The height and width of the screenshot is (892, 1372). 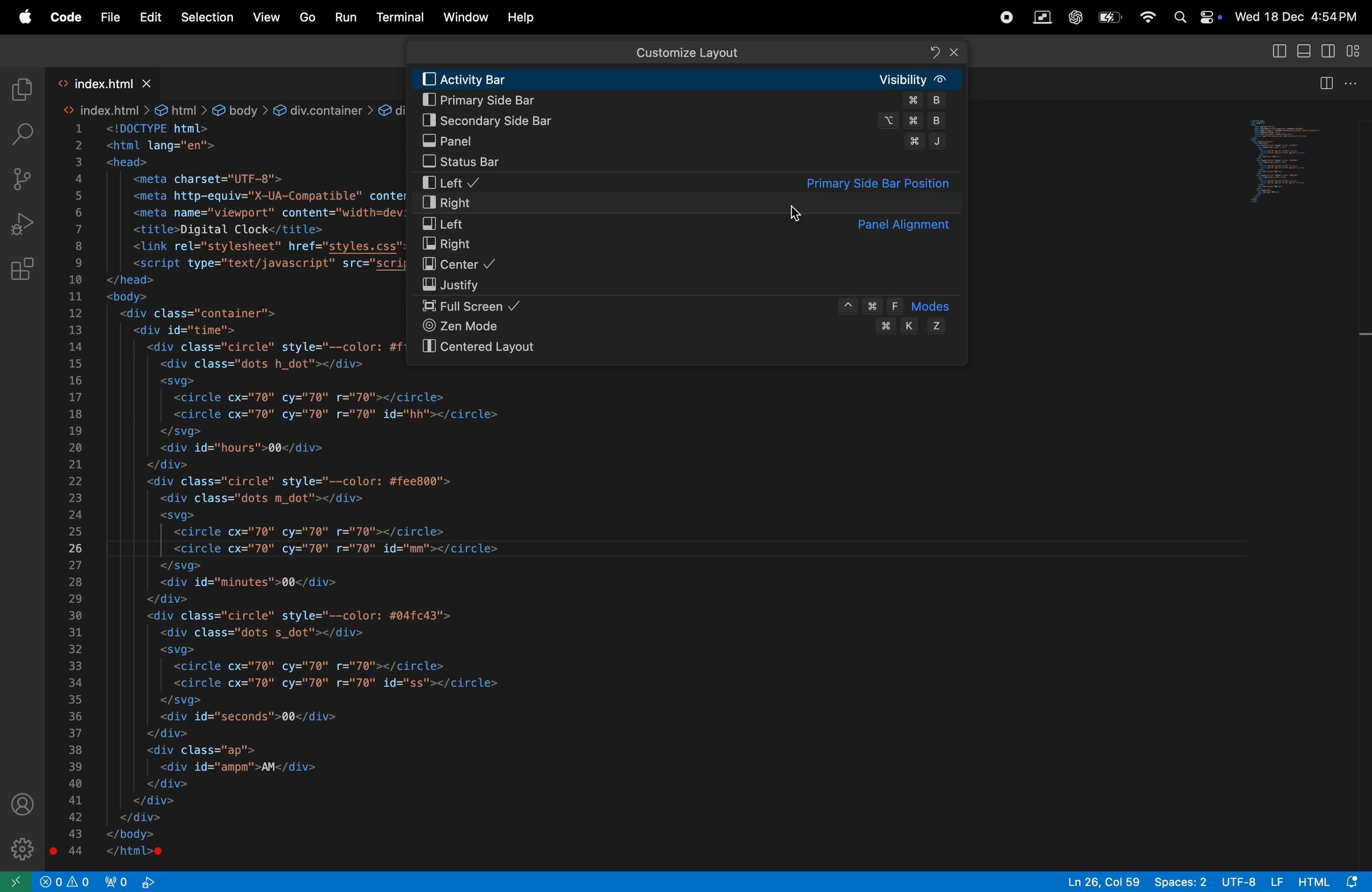 What do you see at coordinates (24, 17) in the screenshot?
I see `apple menu` at bounding box center [24, 17].